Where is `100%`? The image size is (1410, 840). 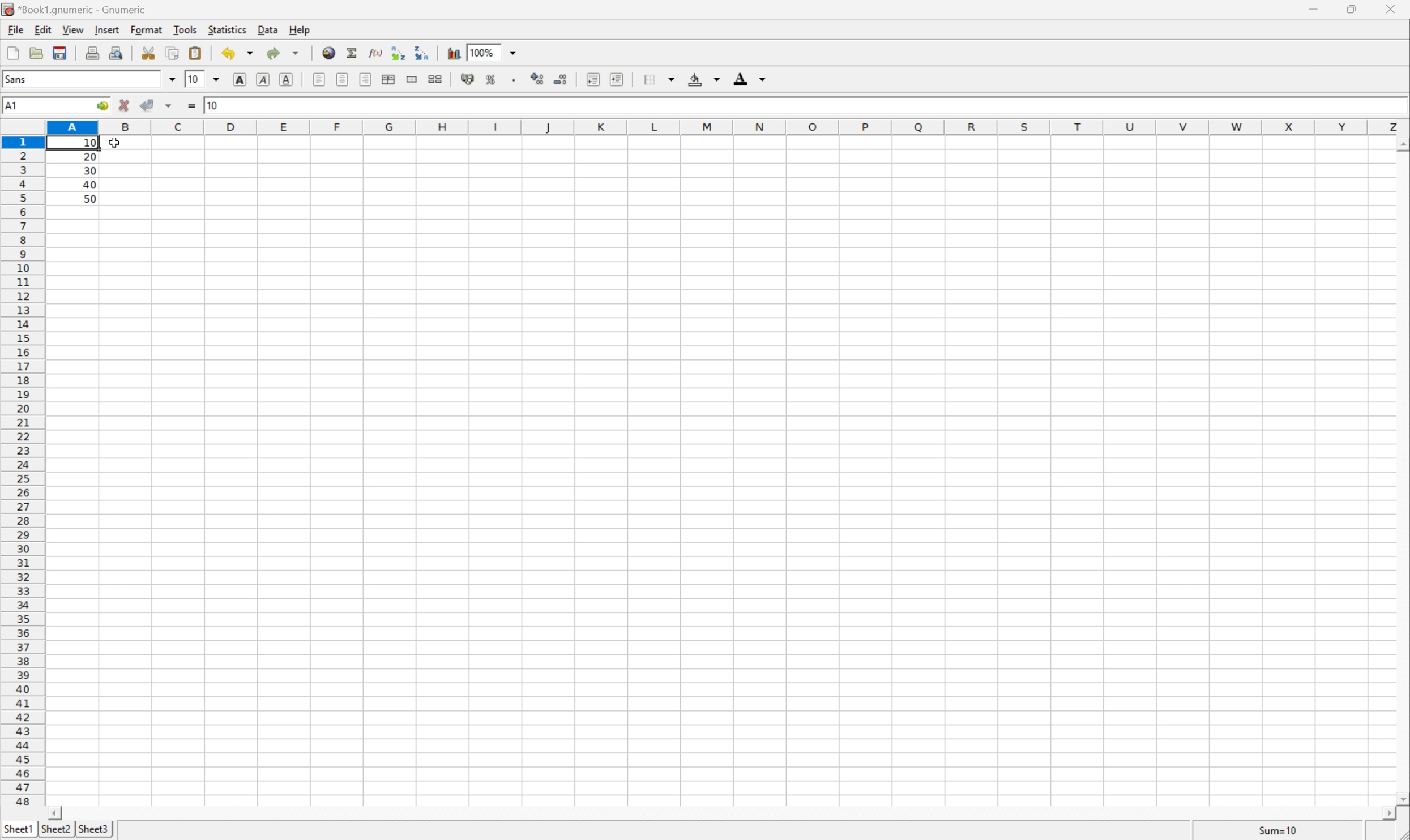 100% is located at coordinates (483, 52).